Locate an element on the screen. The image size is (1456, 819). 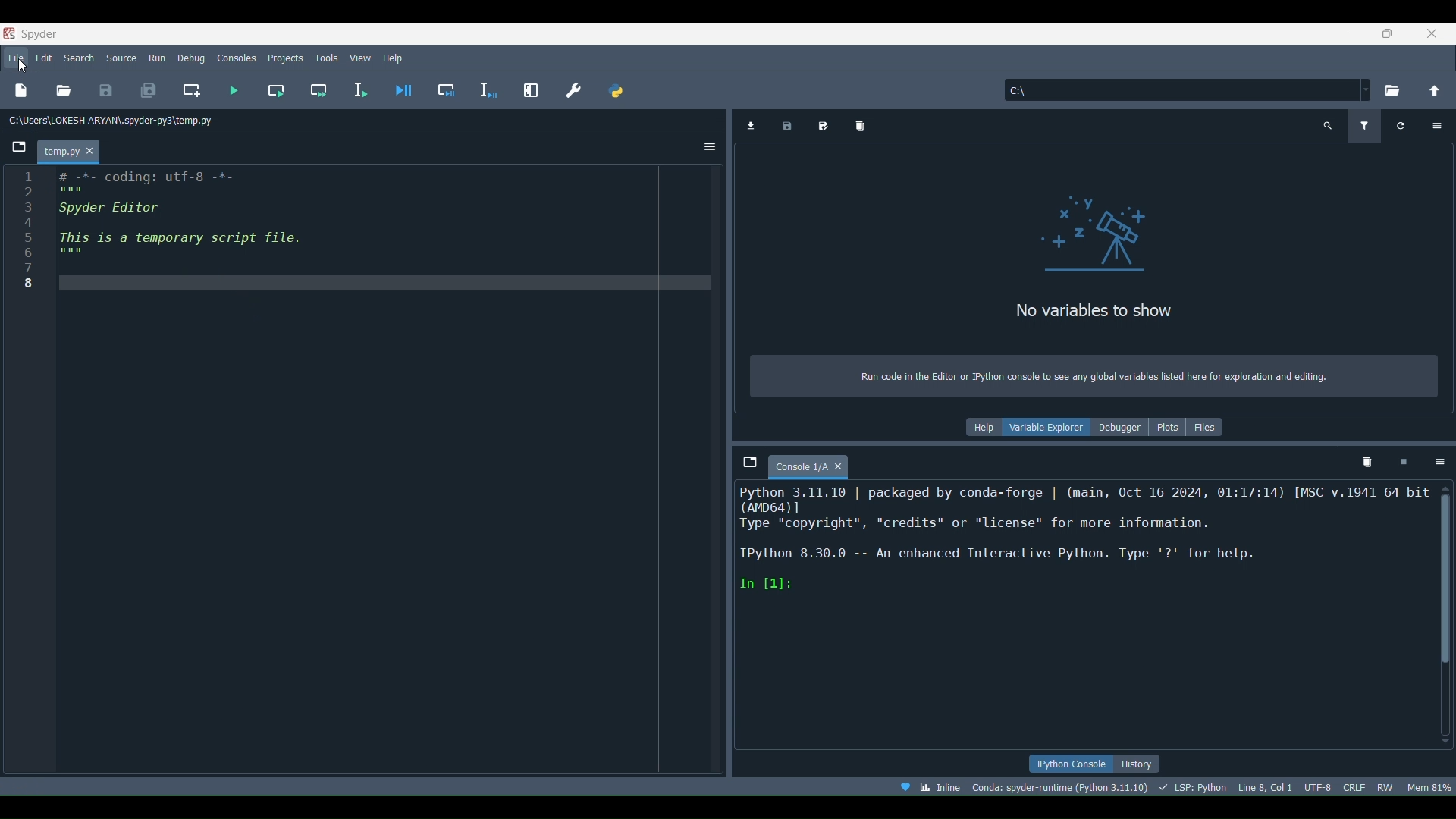
Run selection or current line (F9) is located at coordinates (353, 89).